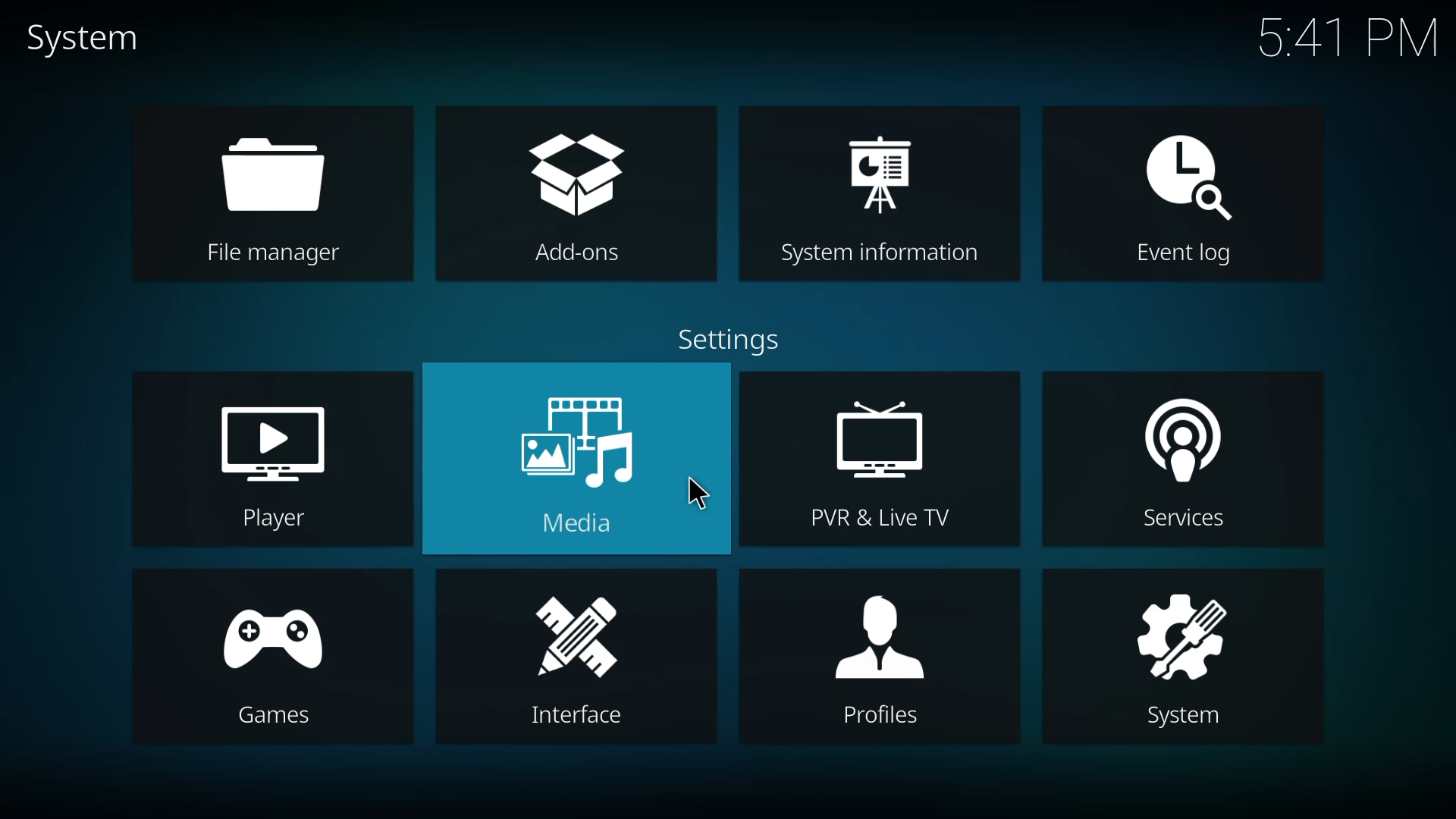 The width and height of the screenshot is (1456, 819). Describe the element at coordinates (880, 462) in the screenshot. I see `pvr & live tv` at that location.